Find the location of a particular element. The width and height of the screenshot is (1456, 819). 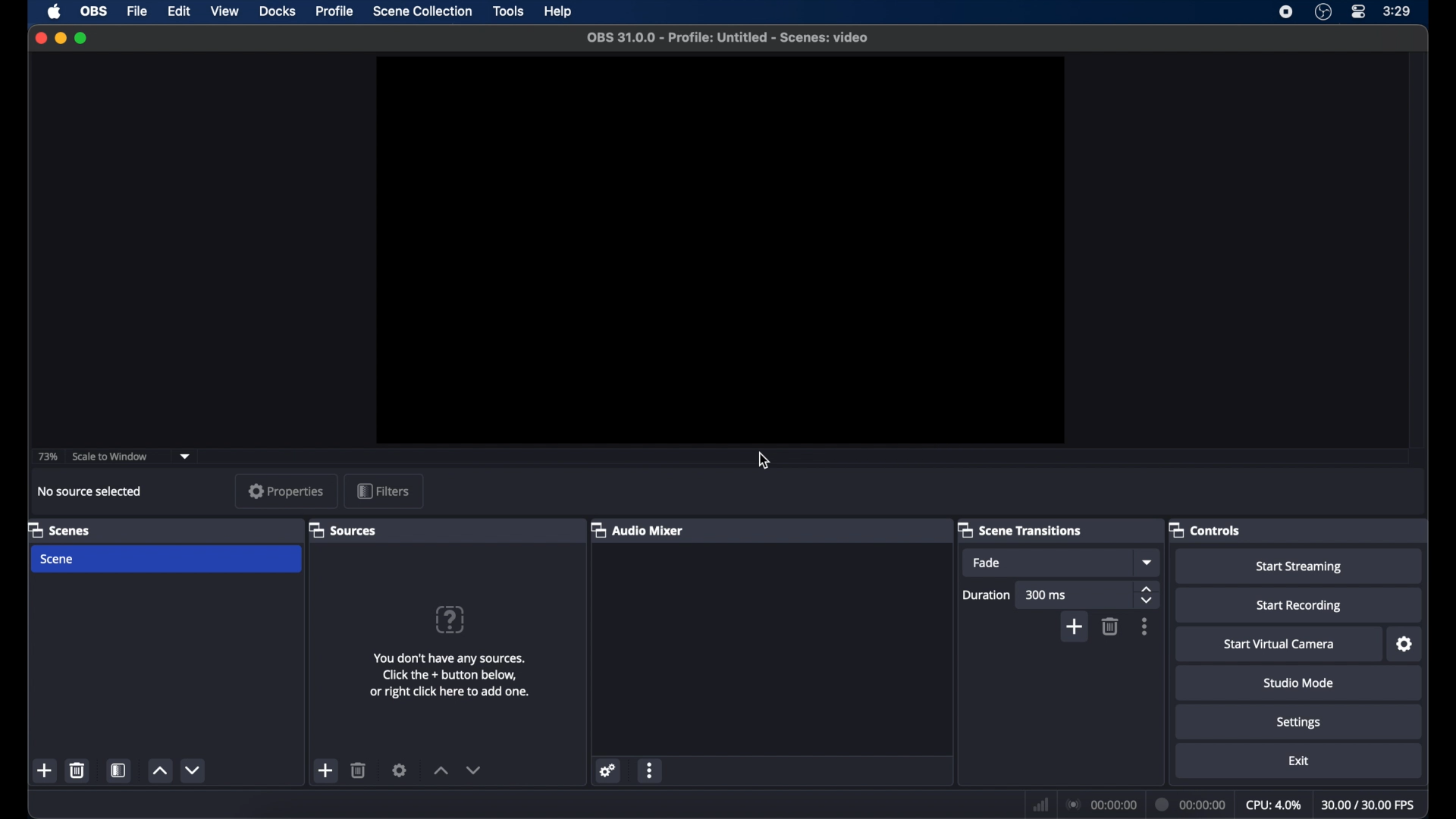

apple icon is located at coordinates (55, 12).